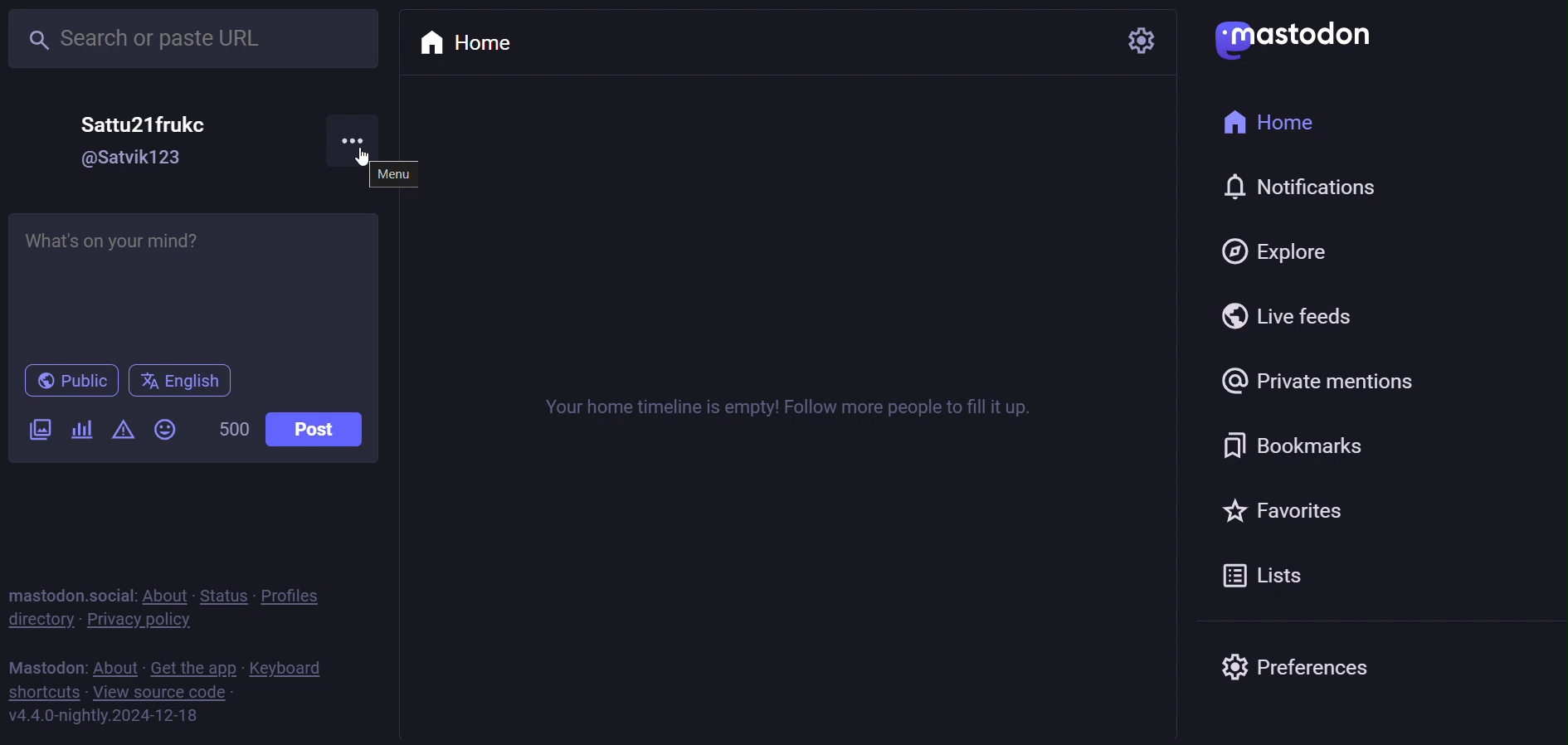 The image size is (1568, 745). Describe the element at coordinates (343, 163) in the screenshot. I see `cursor` at that location.